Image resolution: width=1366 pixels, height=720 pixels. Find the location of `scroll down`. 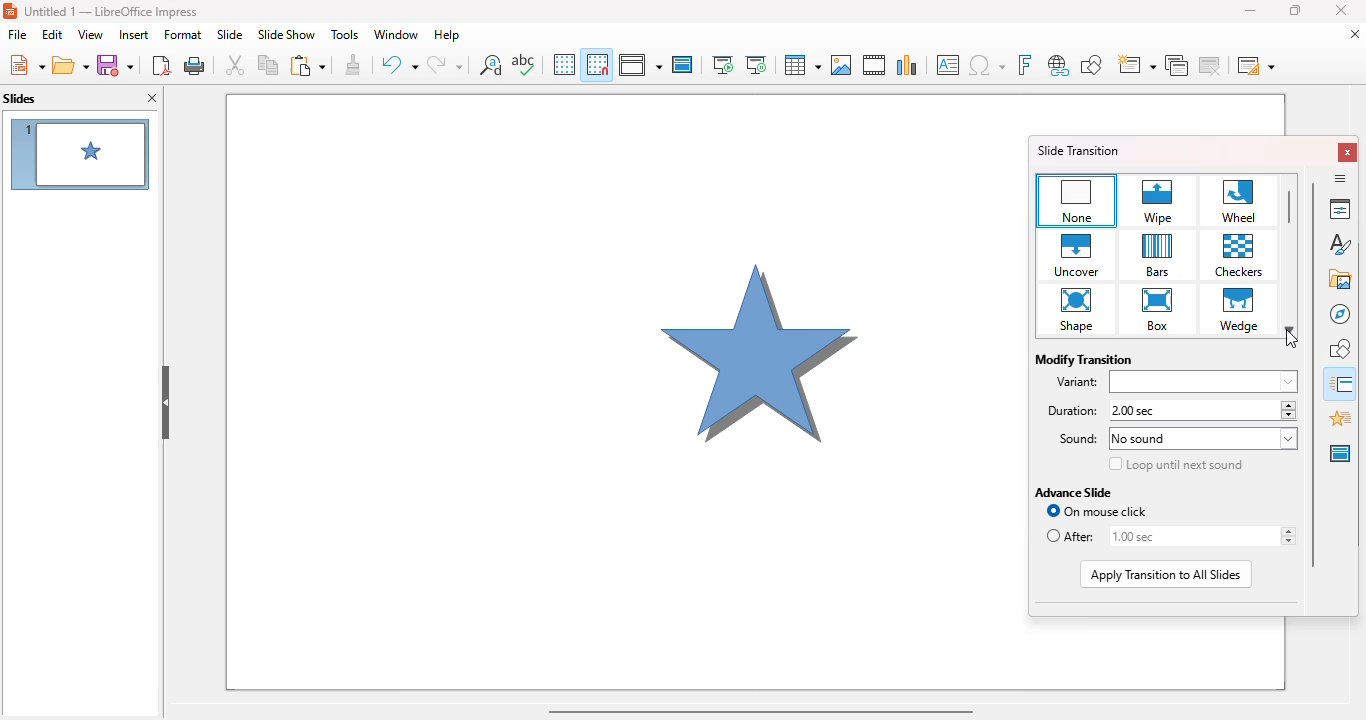

scroll down is located at coordinates (1292, 329).